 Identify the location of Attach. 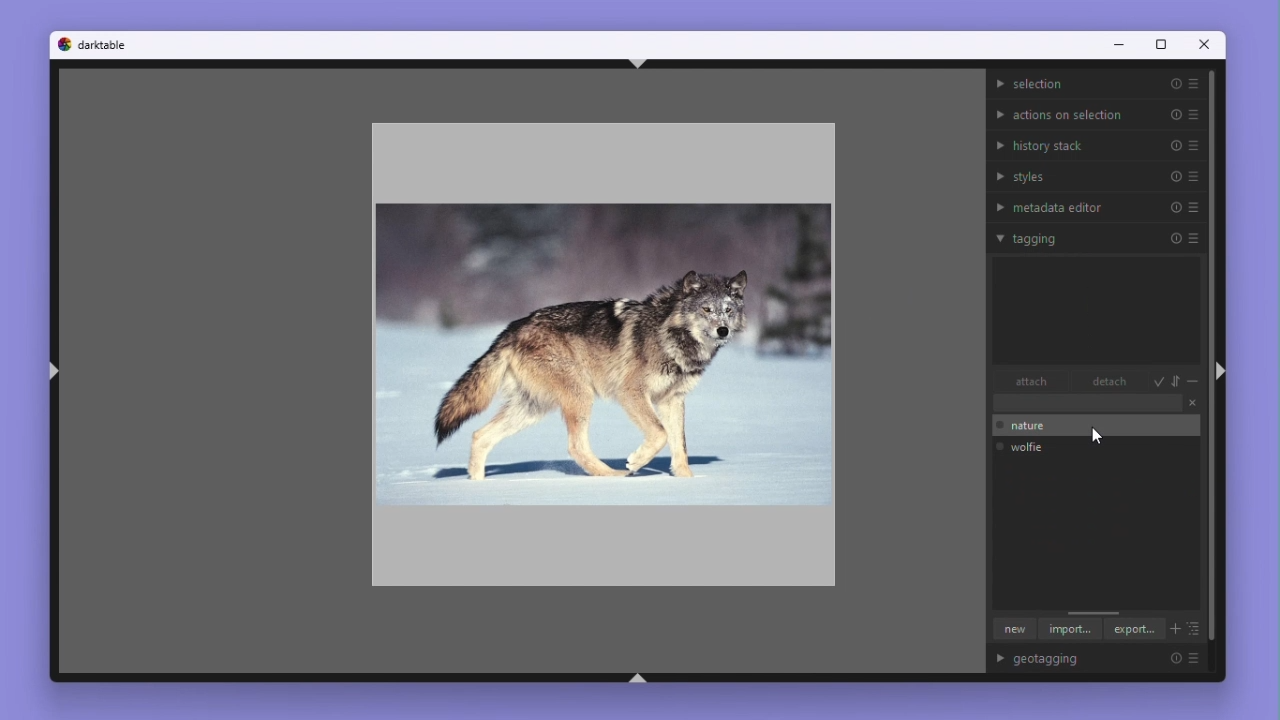
(1032, 383).